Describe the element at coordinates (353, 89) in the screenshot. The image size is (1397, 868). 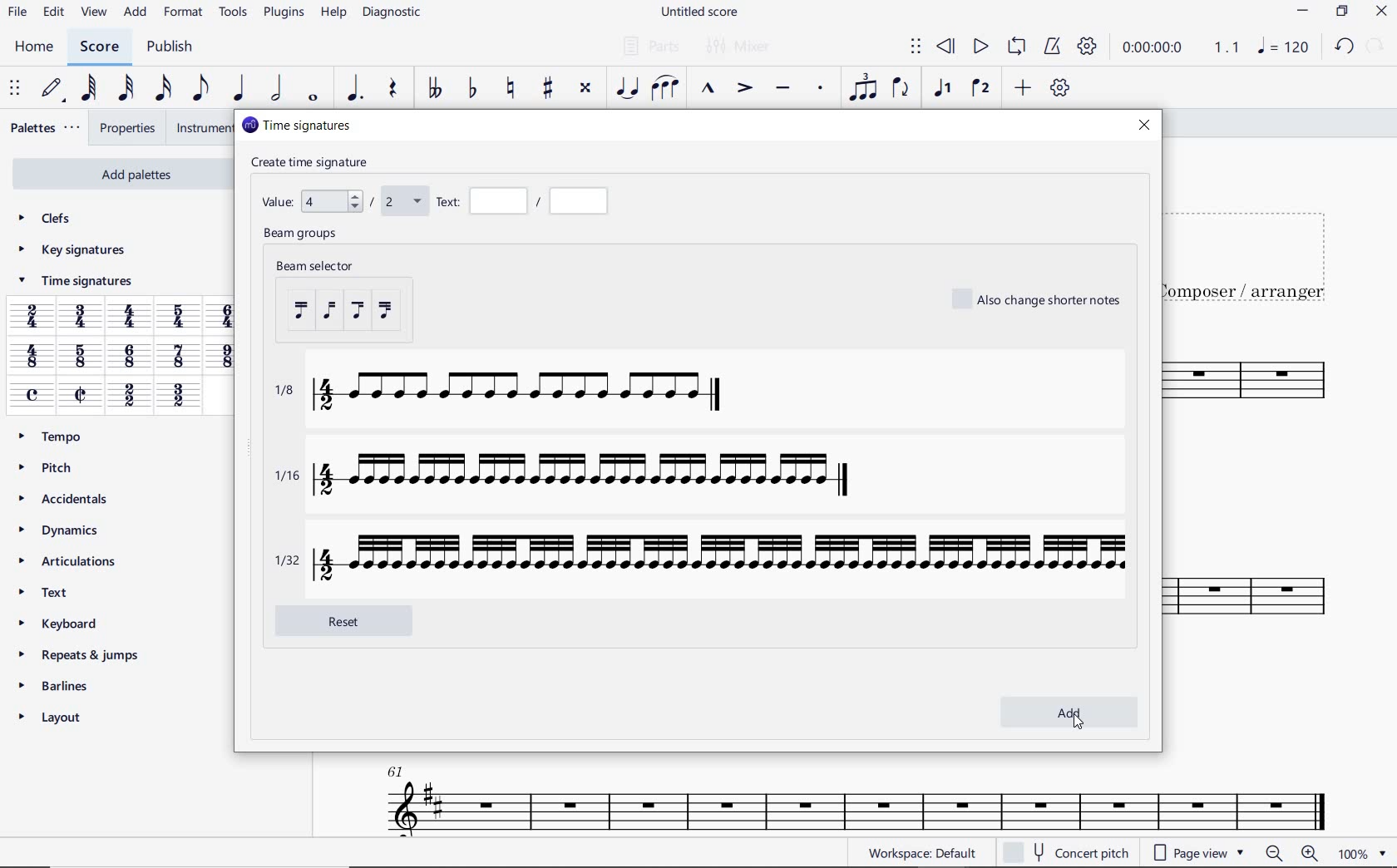
I see `AUGMENTATION DOT` at that location.